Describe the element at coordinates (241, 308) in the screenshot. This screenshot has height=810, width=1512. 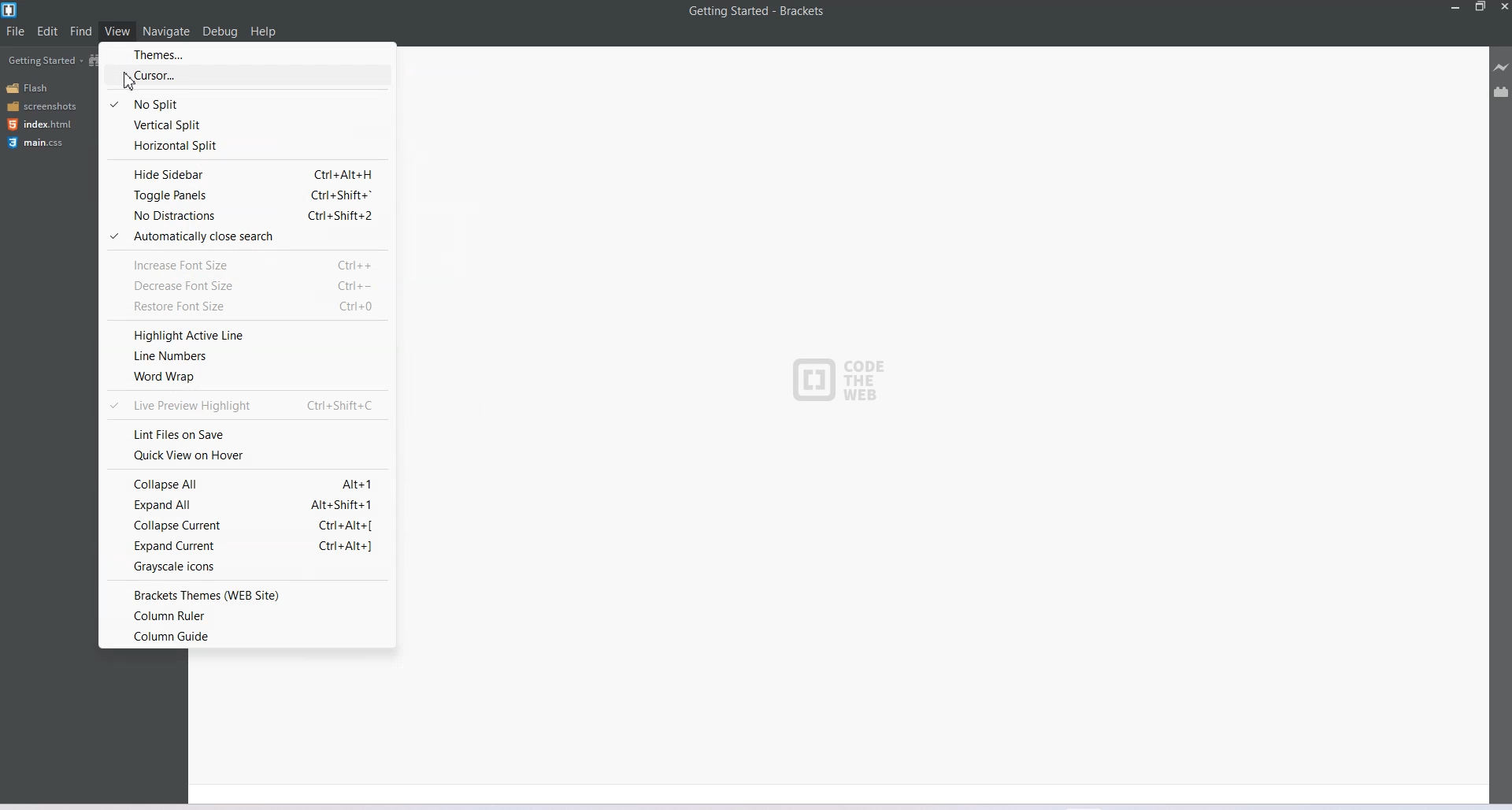
I see `restore font size` at that location.